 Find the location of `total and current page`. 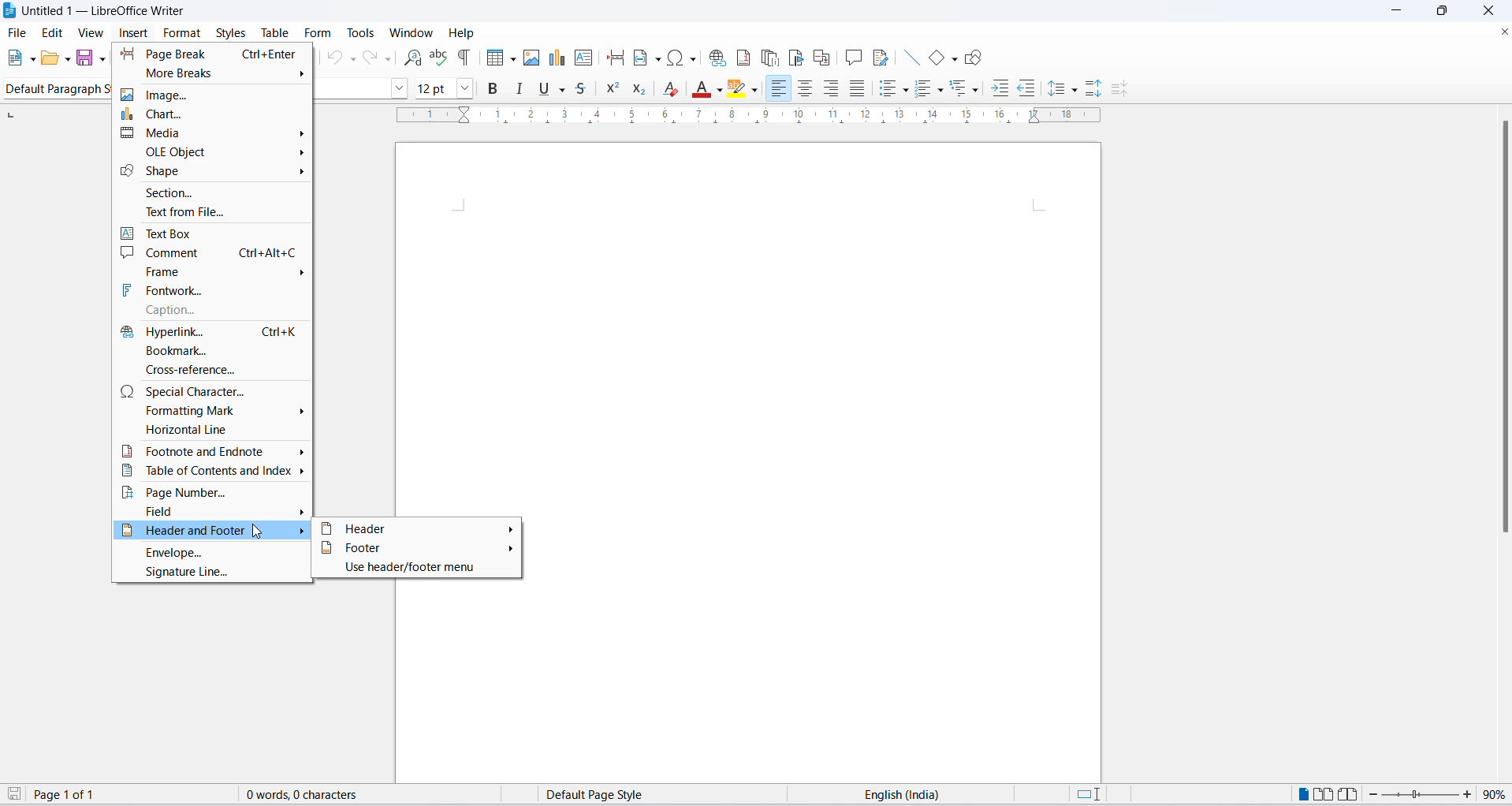

total and current page is located at coordinates (76, 796).